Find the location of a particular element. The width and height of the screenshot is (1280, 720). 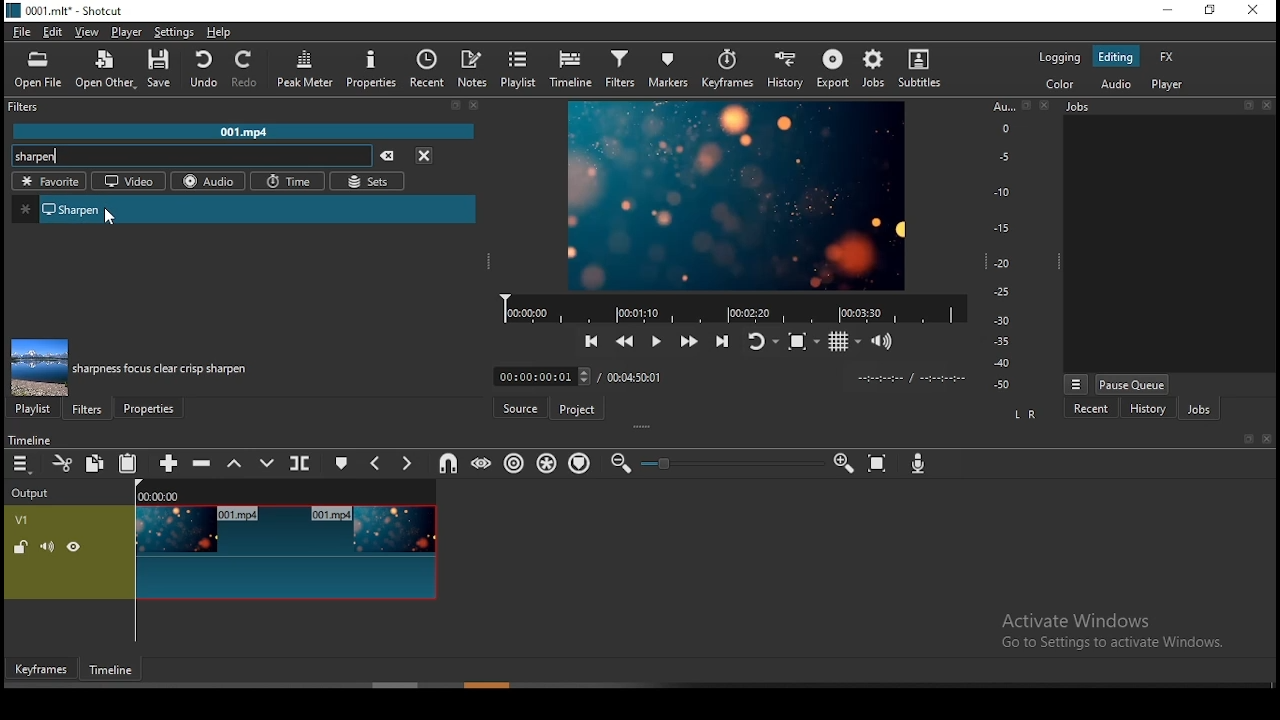

sets is located at coordinates (370, 182).